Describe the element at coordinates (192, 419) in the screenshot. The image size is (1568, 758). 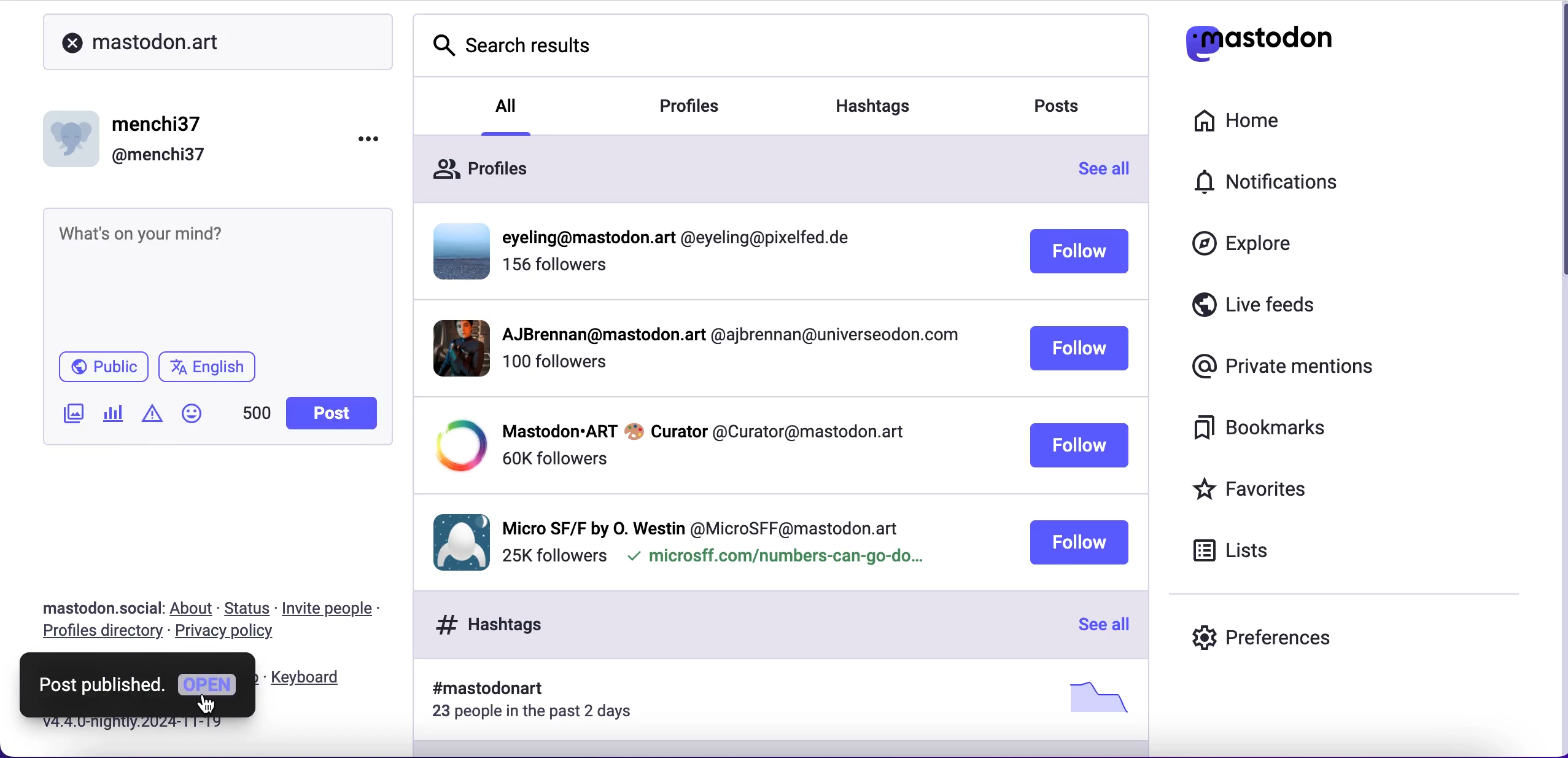
I see `add emoji` at that location.